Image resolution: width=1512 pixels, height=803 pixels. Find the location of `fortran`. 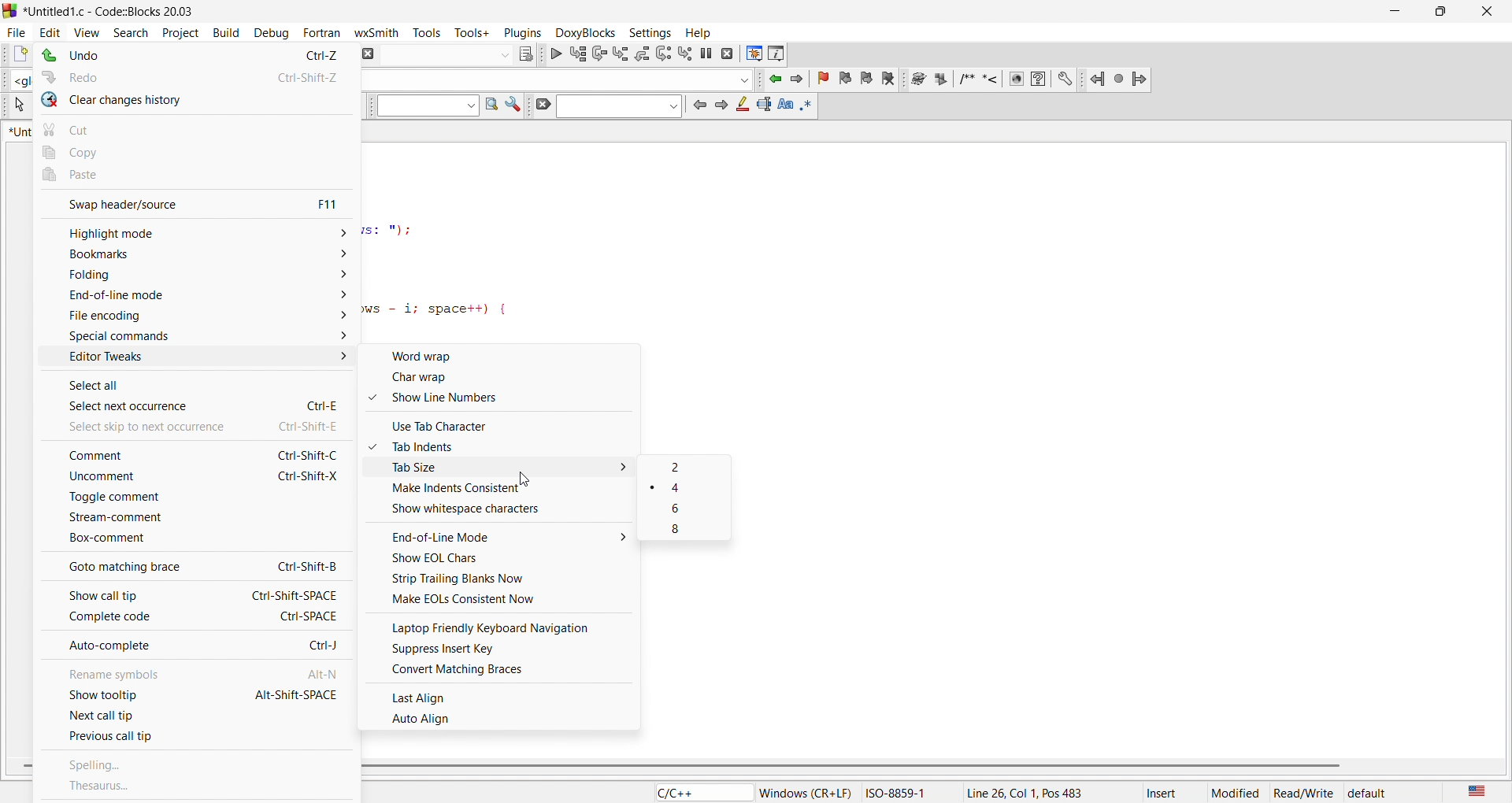

fortran is located at coordinates (323, 31).